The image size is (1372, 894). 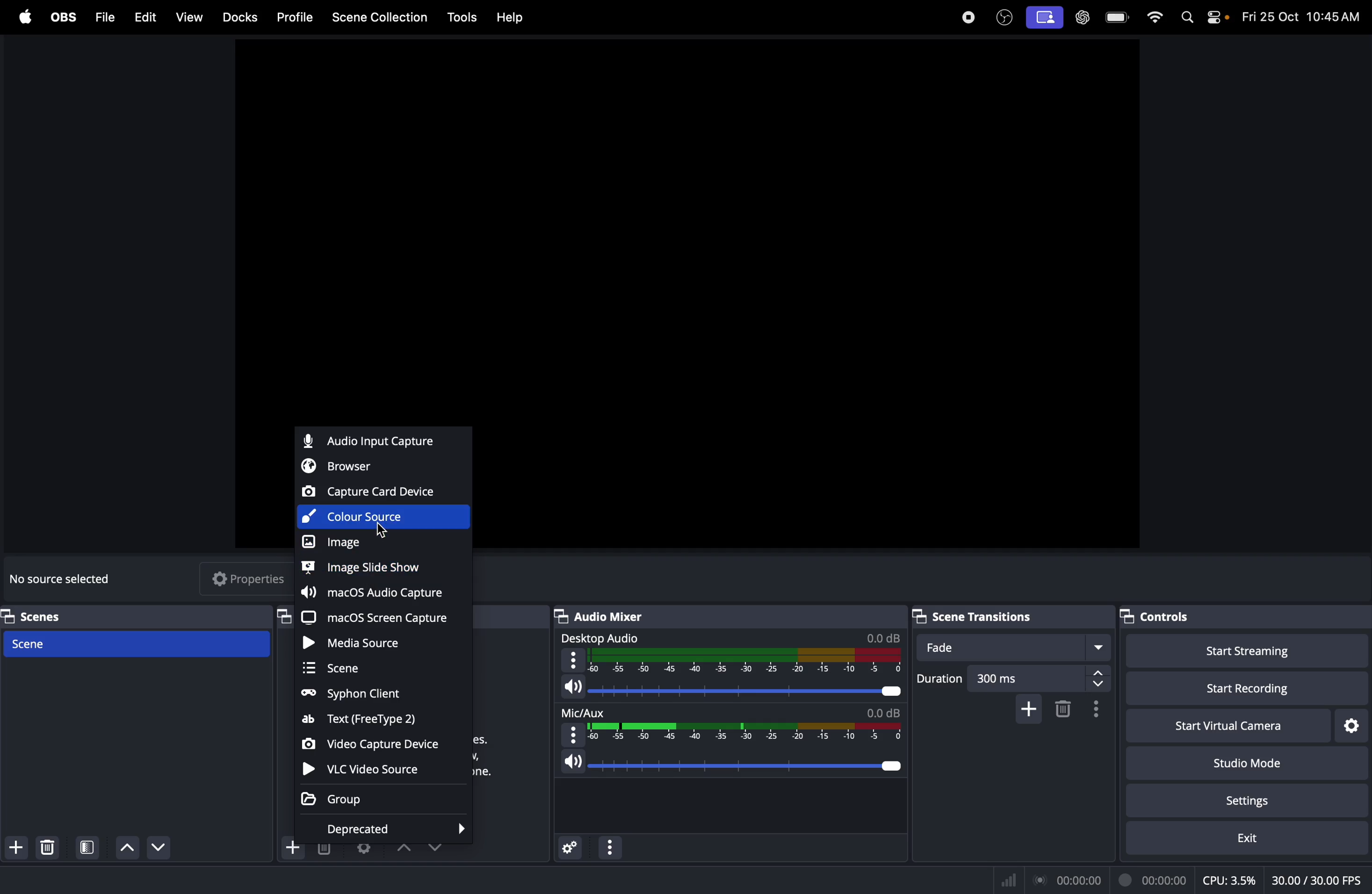 I want to click on macos capture, so click(x=372, y=593).